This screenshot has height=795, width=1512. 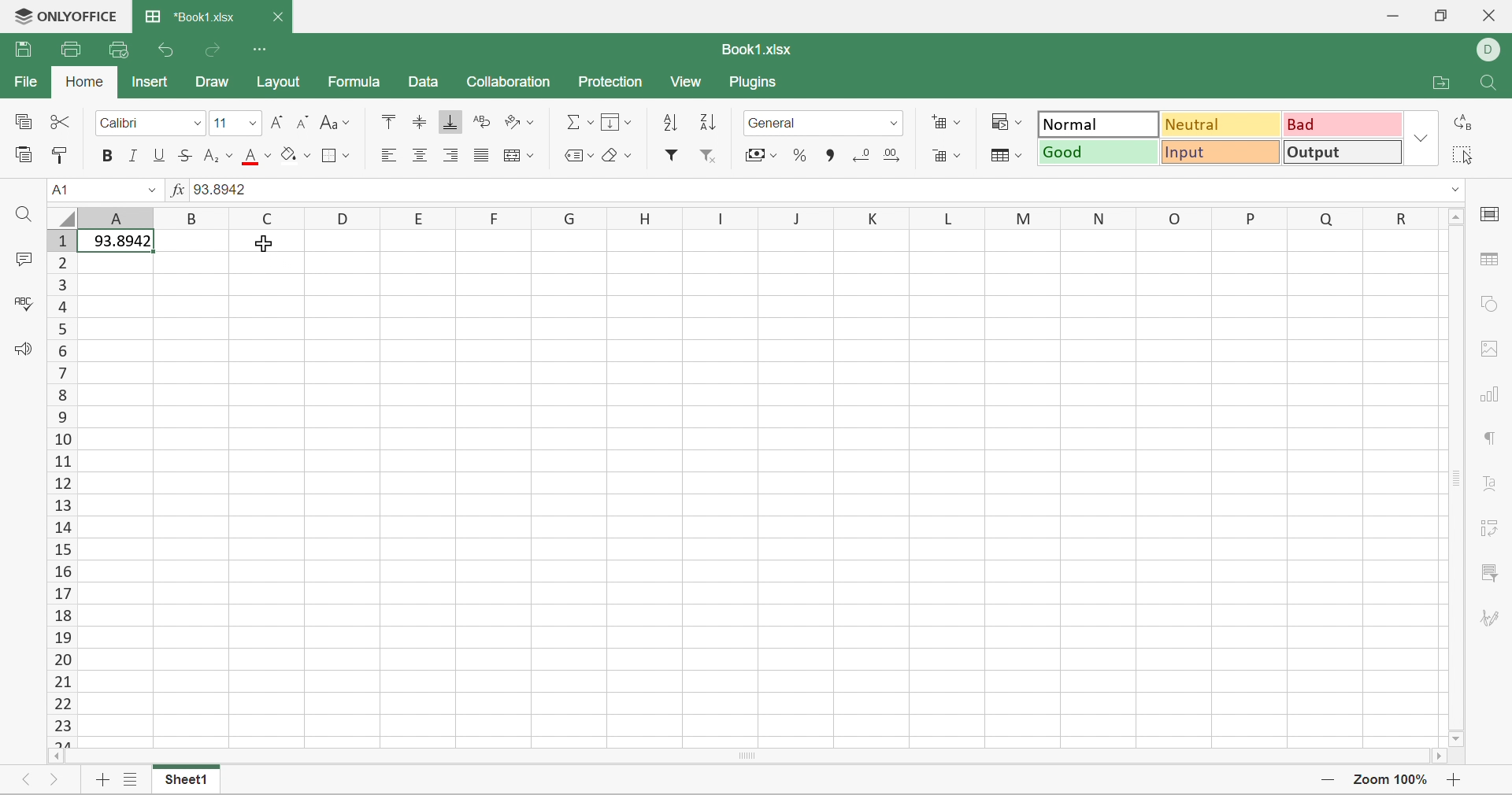 I want to click on Close, so click(x=278, y=17).